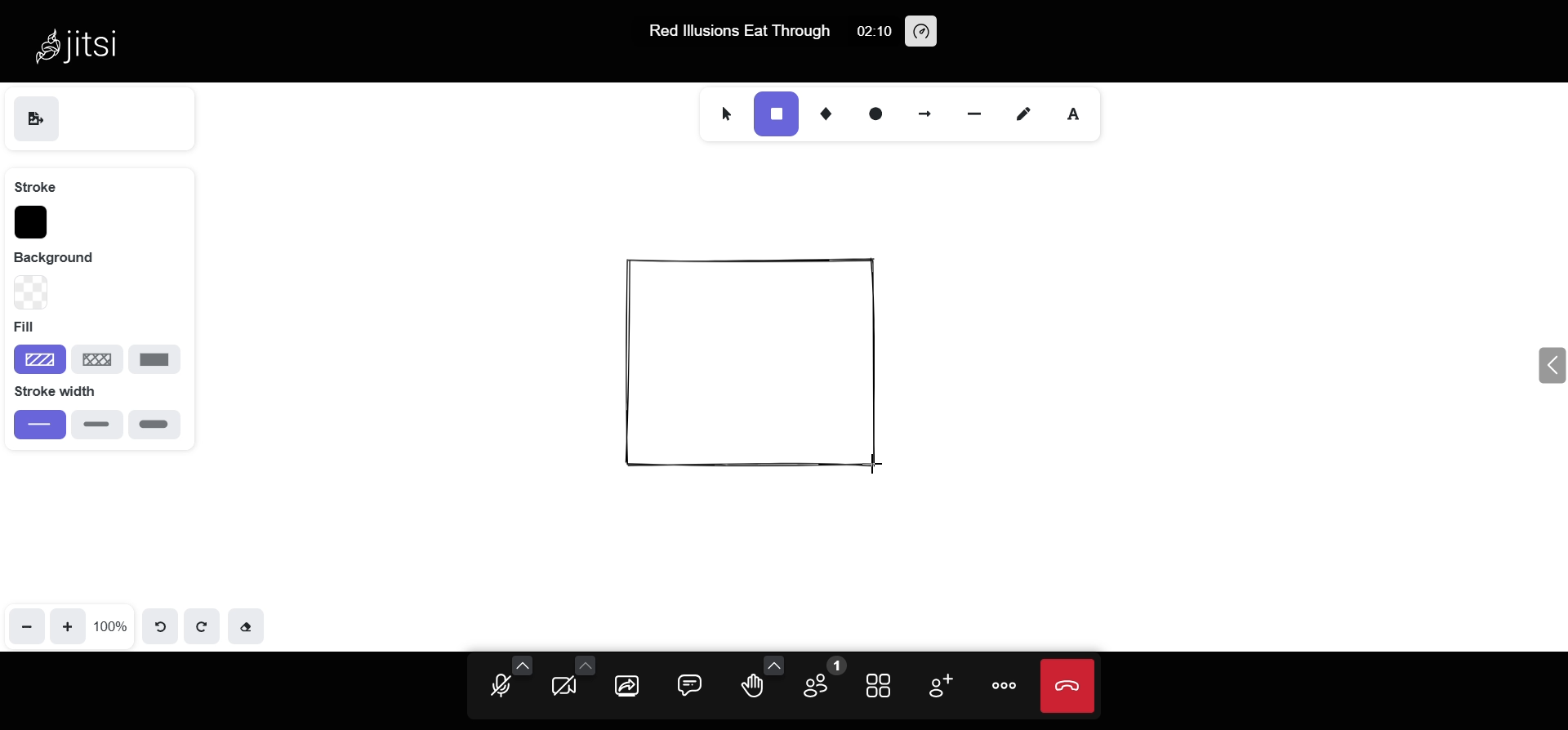  What do you see at coordinates (155, 360) in the screenshot?
I see `solid` at bounding box center [155, 360].